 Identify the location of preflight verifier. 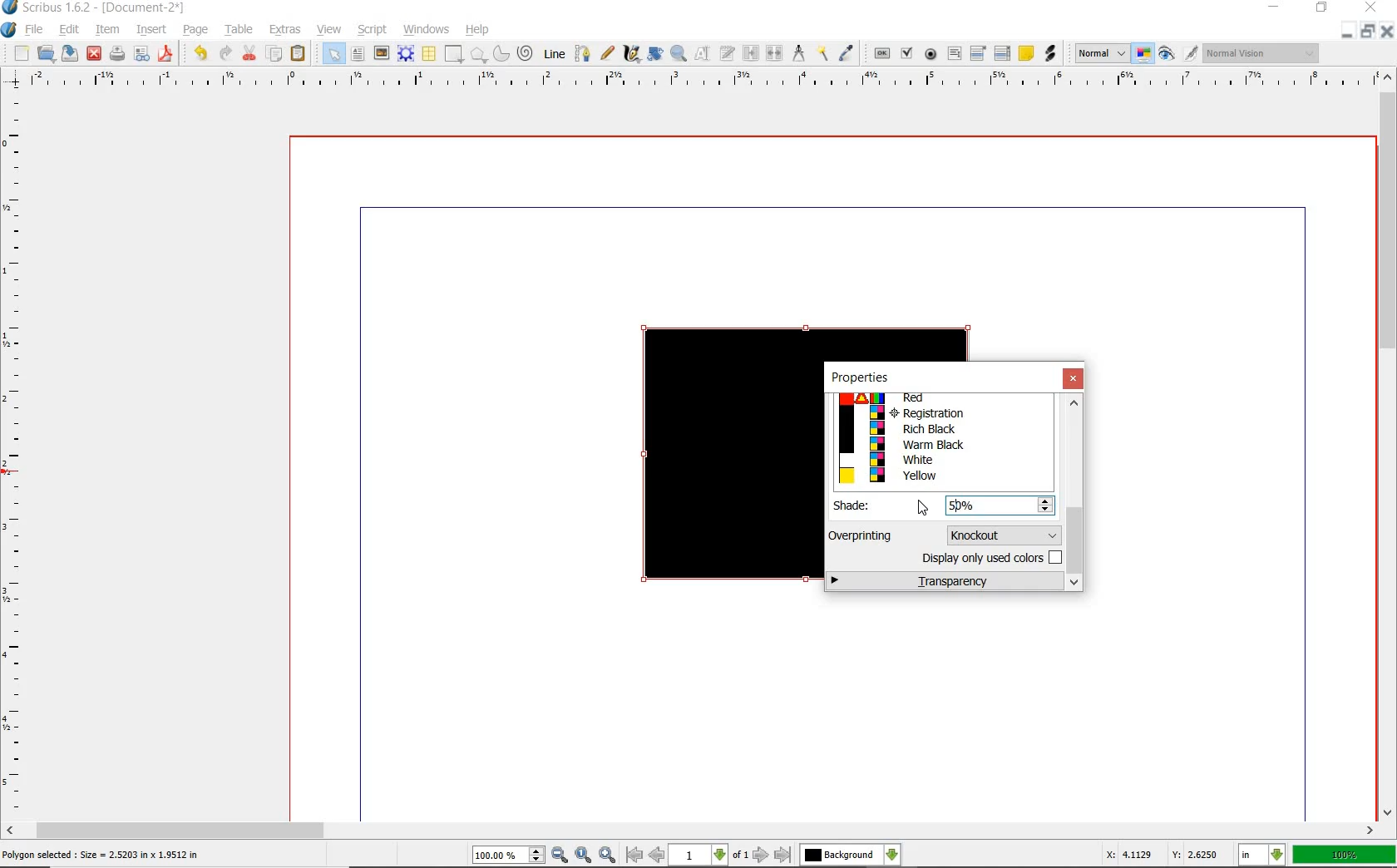
(142, 54).